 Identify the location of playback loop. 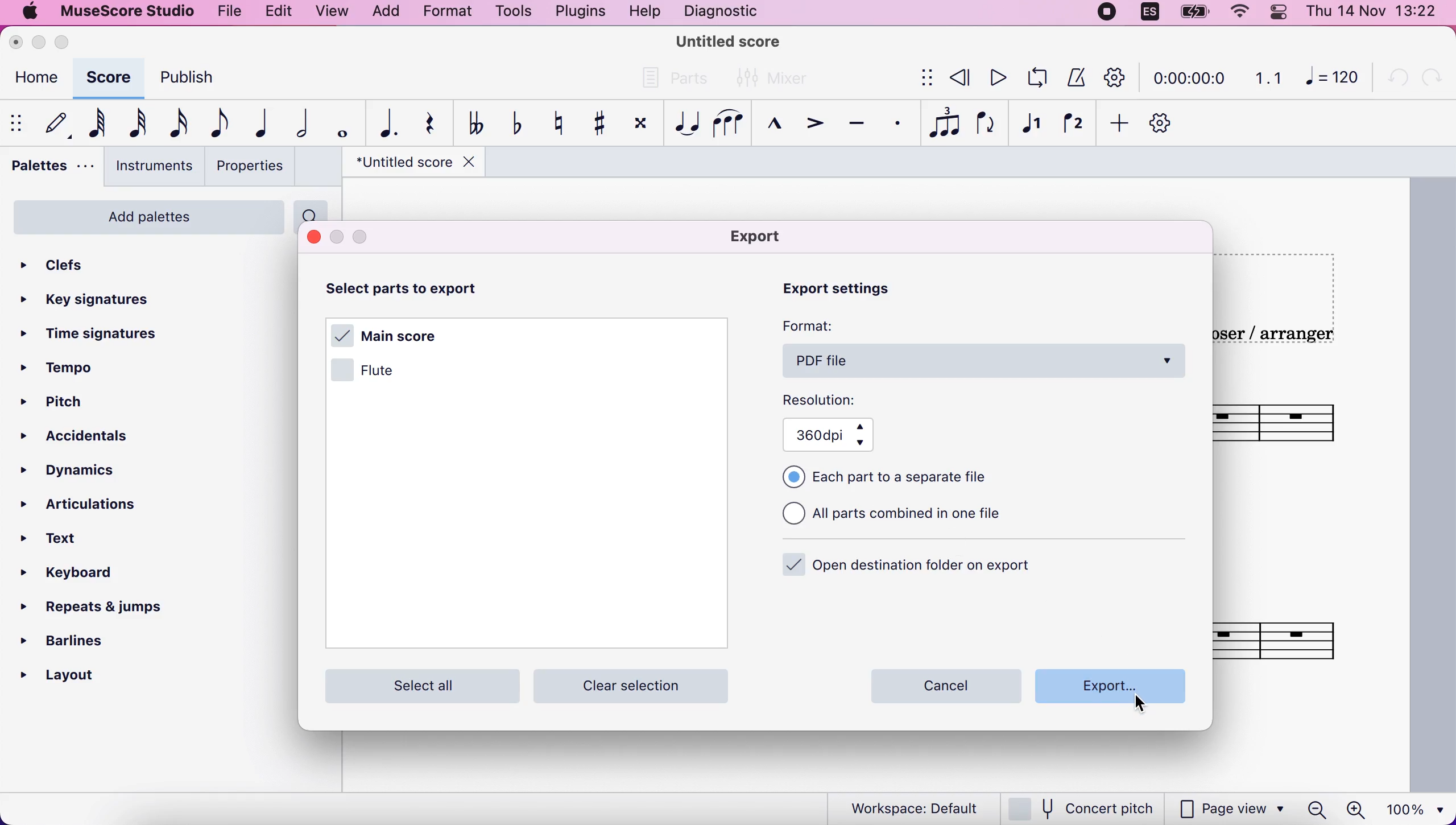
(1034, 79).